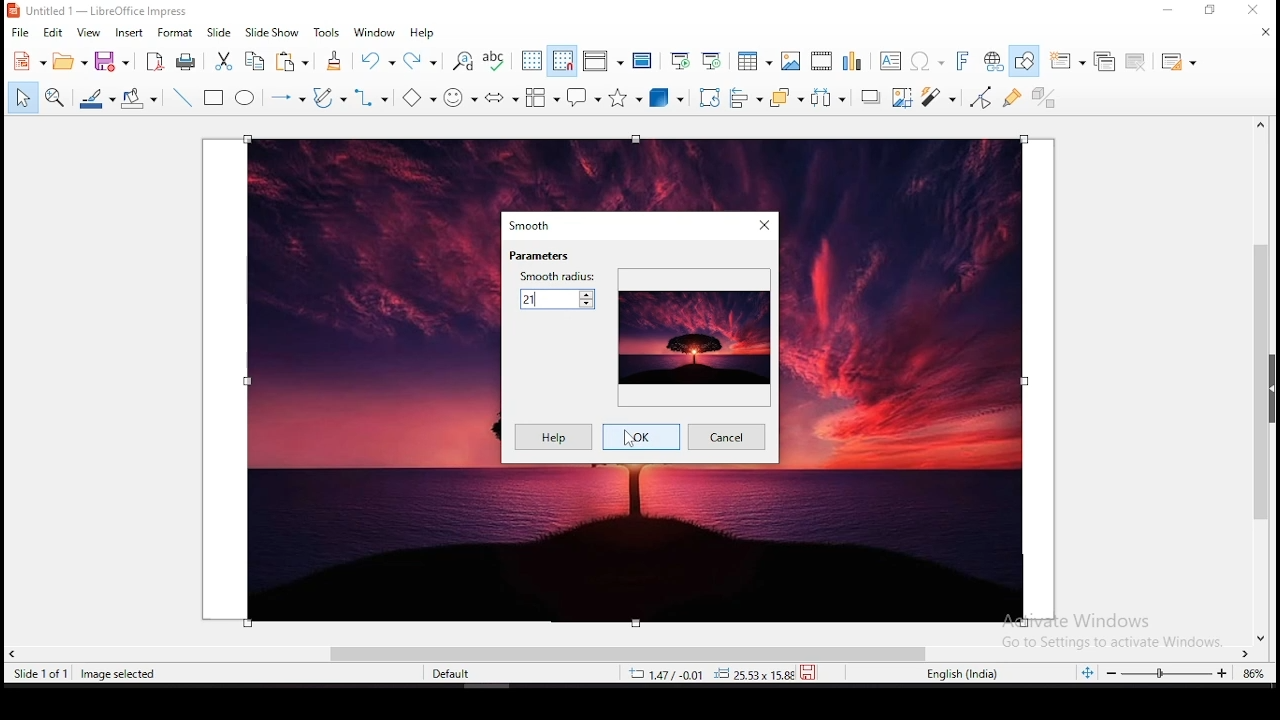  What do you see at coordinates (326, 32) in the screenshot?
I see `tools` at bounding box center [326, 32].